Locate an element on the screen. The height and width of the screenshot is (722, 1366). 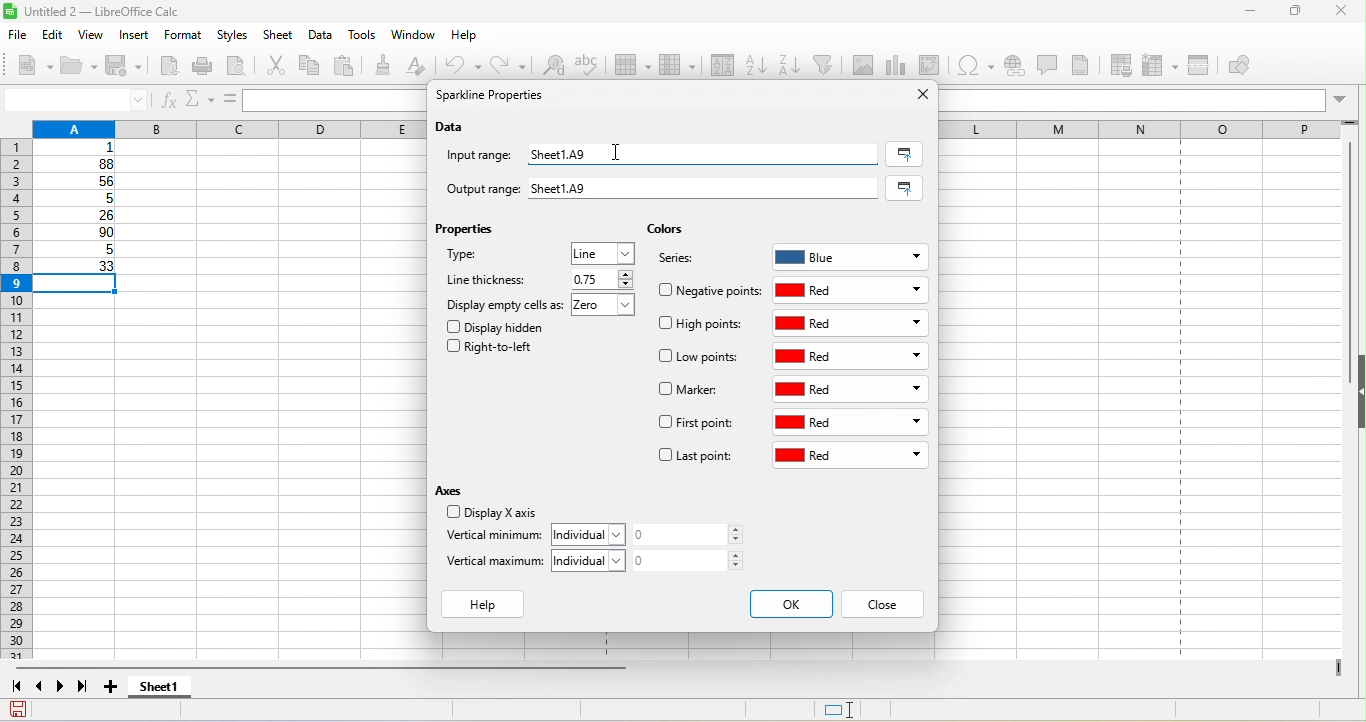
scroll to previous sheet is located at coordinates (41, 689).